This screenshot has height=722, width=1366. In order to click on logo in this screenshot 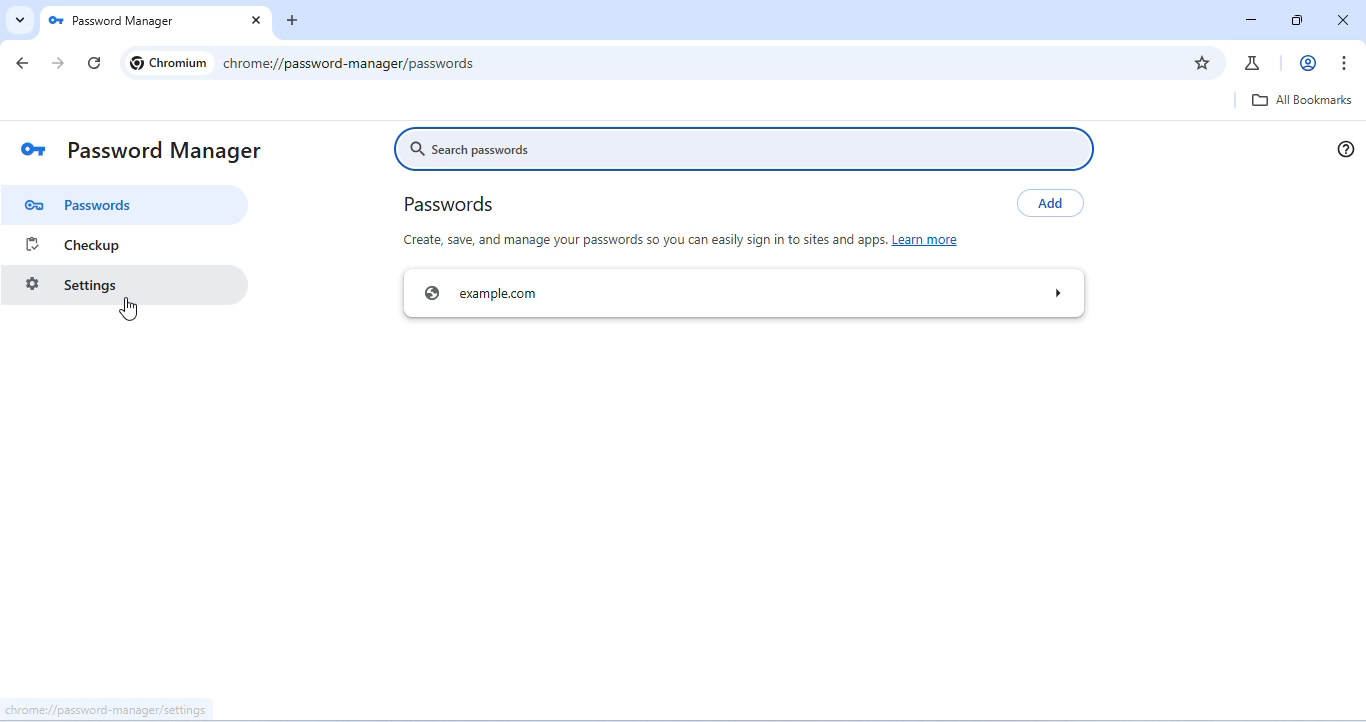, I will do `click(56, 21)`.